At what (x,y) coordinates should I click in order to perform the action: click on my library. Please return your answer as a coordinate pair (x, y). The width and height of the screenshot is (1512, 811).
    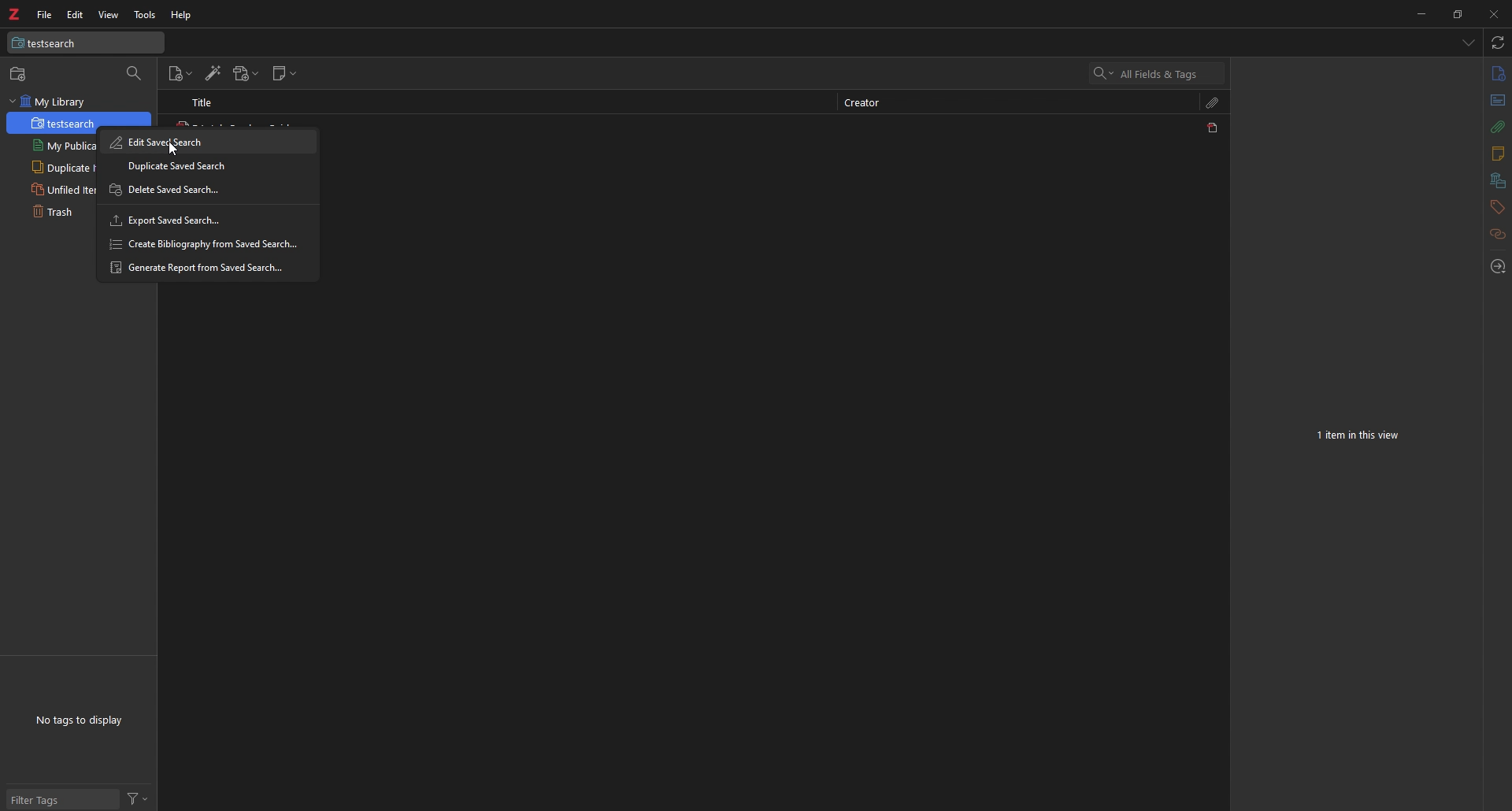
    Looking at the image, I should click on (79, 102).